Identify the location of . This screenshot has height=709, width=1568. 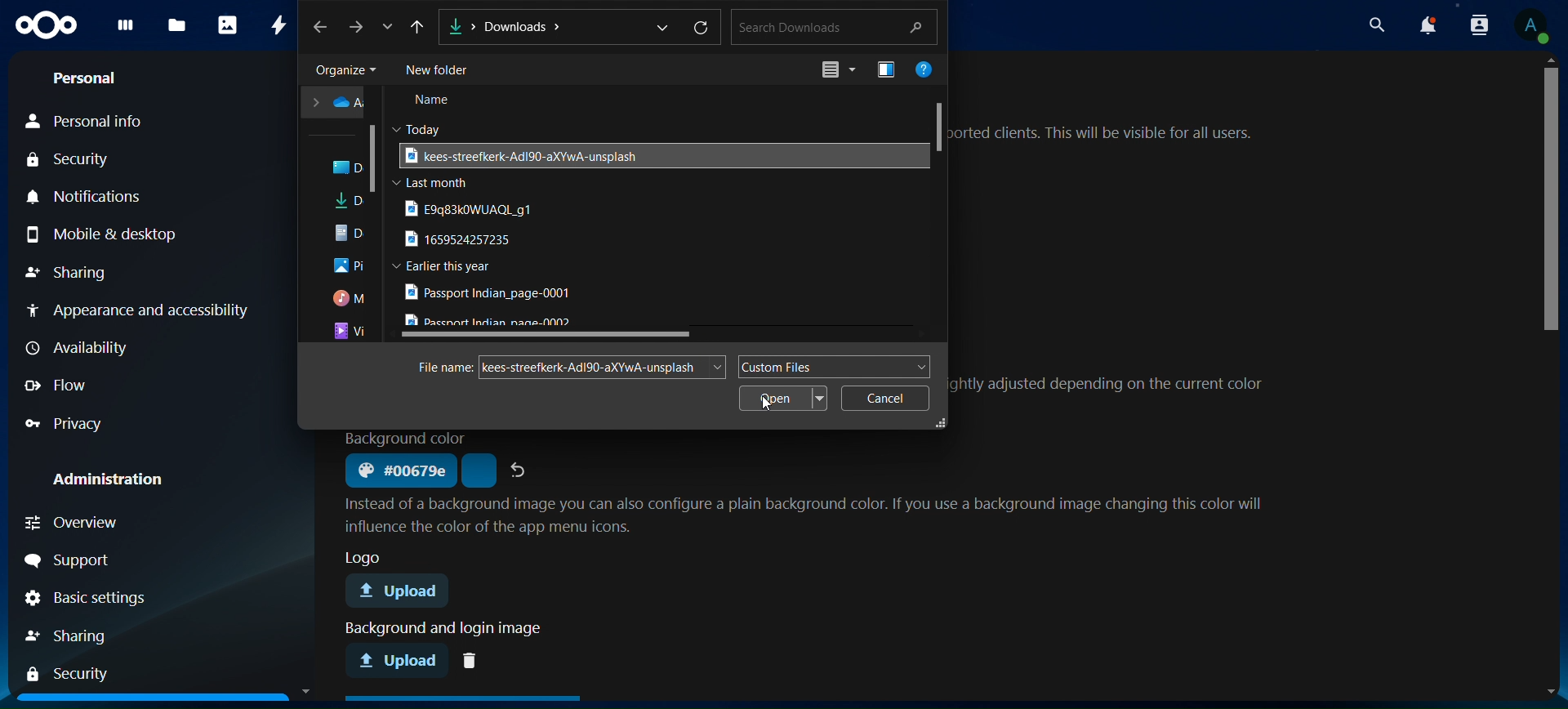
(419, 27).